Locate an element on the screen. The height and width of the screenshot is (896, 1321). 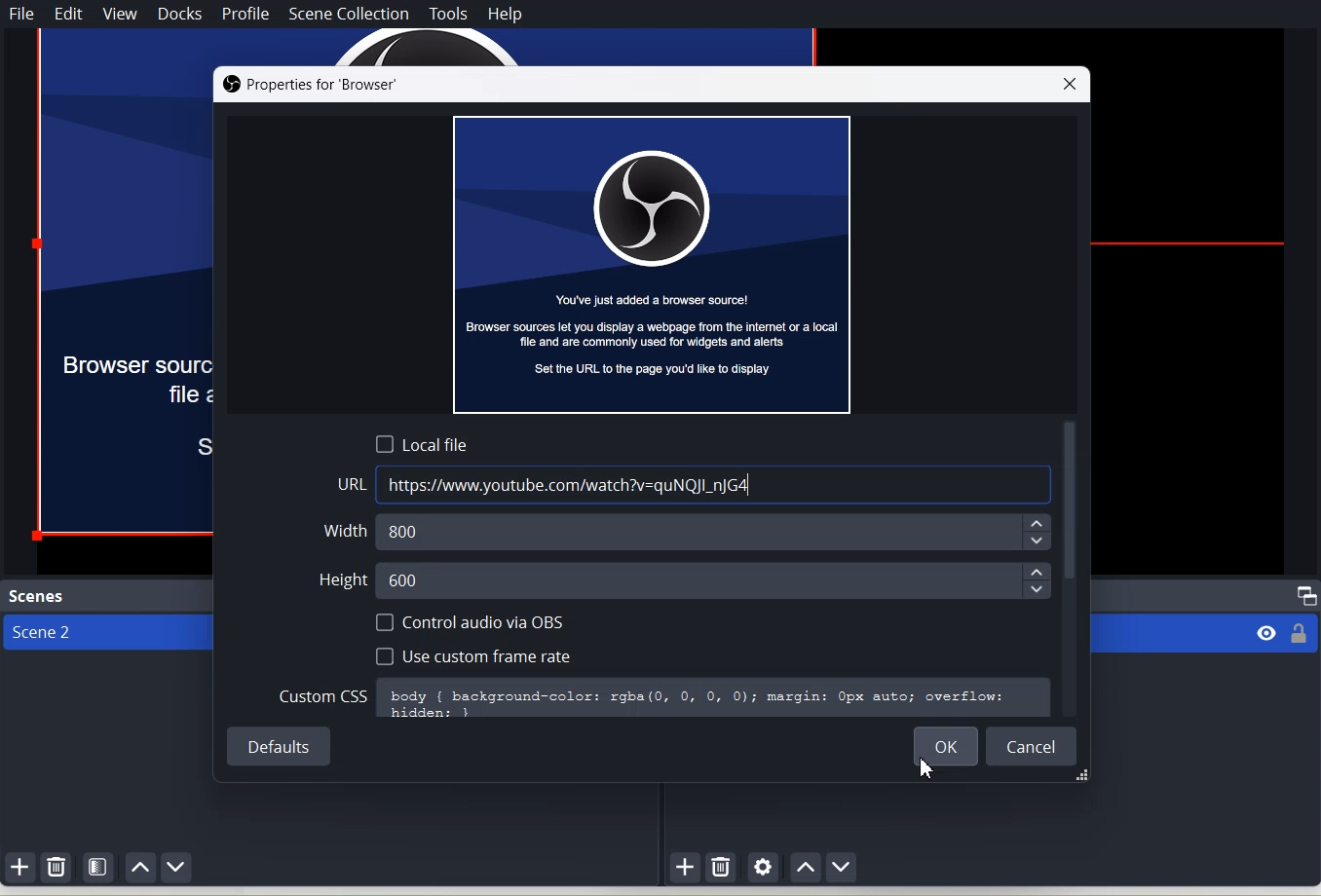
Local File is located at coordinates (424, 443).